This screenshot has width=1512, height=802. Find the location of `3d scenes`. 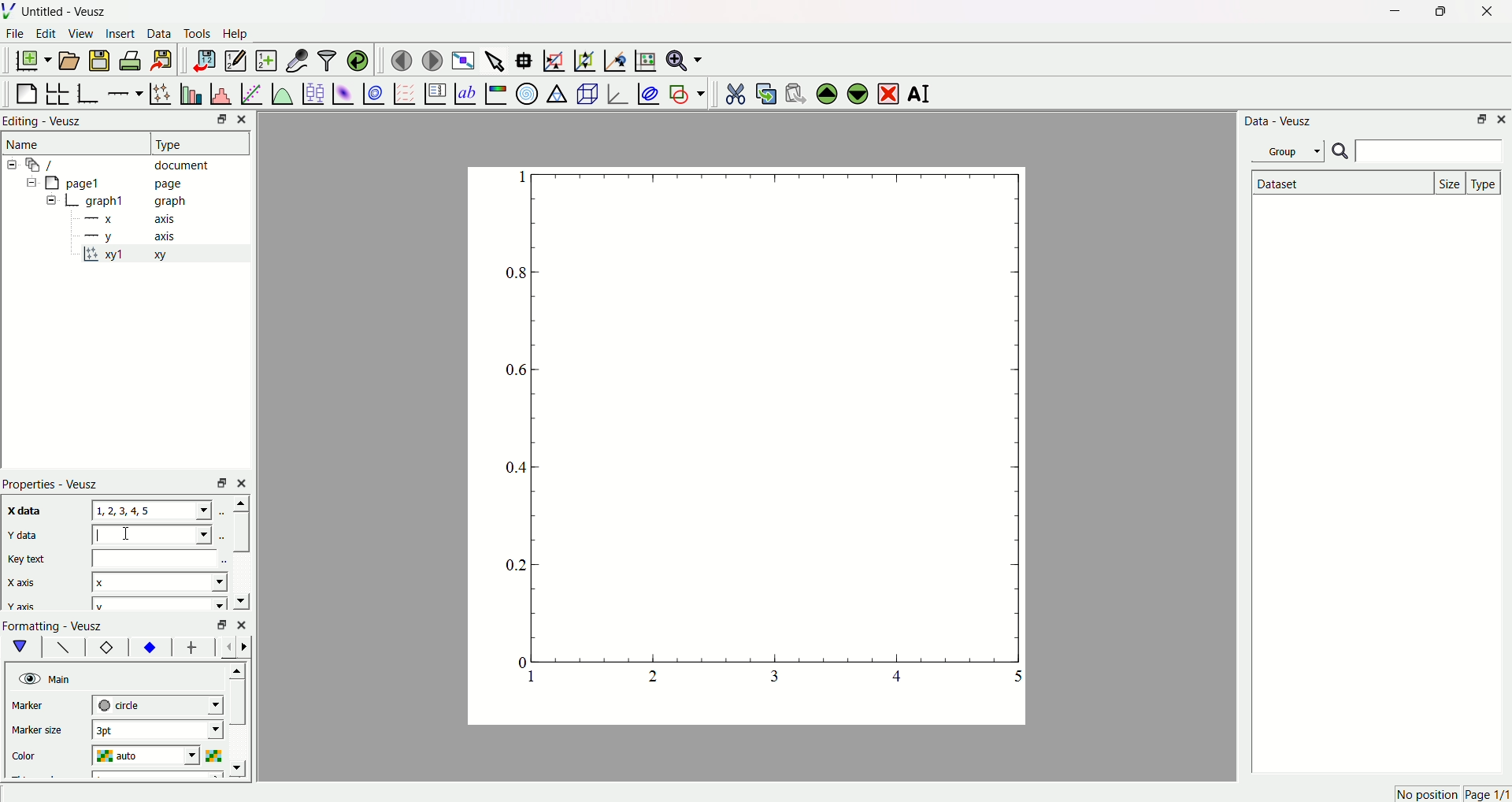

3d scenes is located at coordinates (586, 93).